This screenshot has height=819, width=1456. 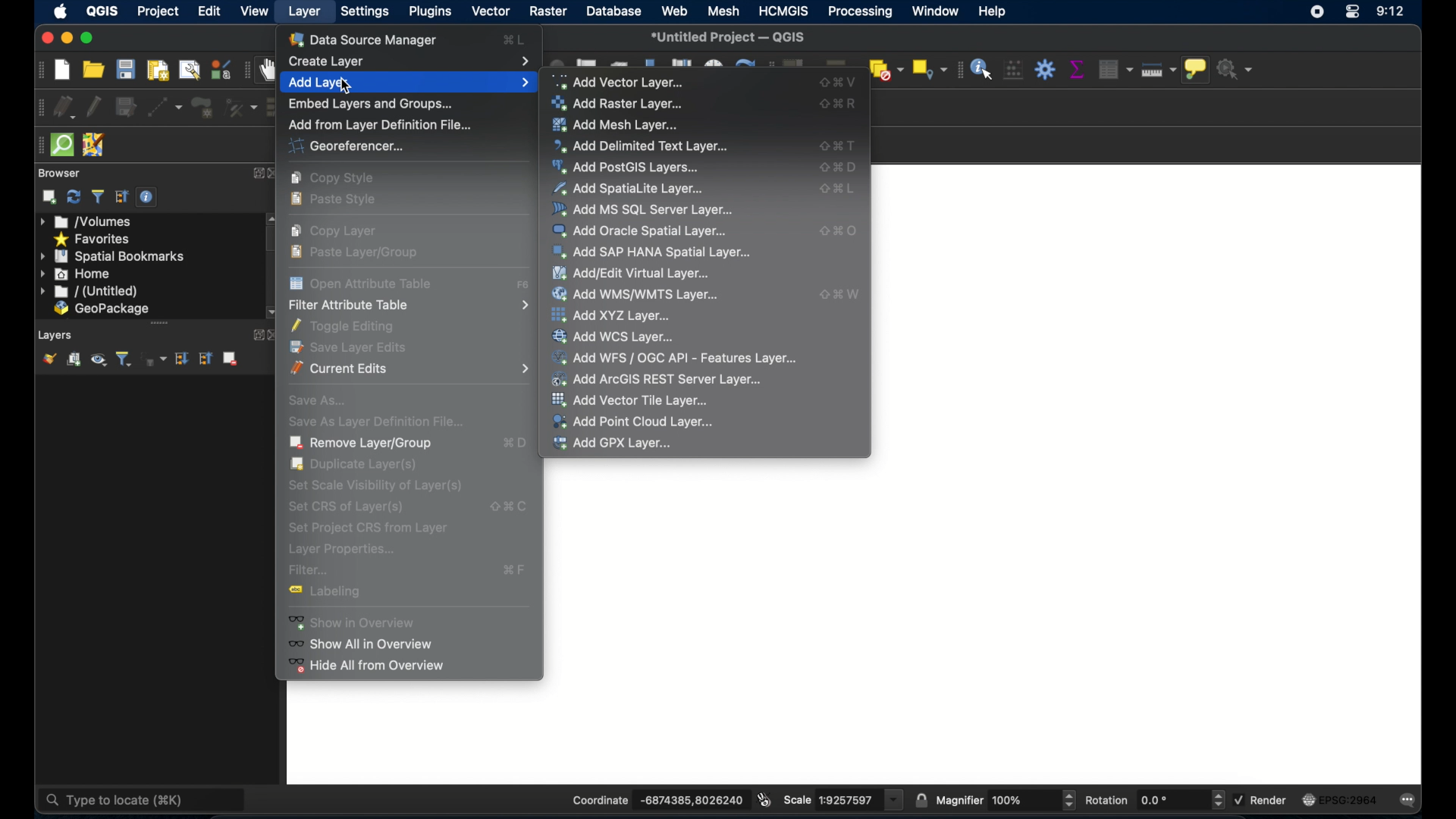 What do you see at coordinates (93, 221) in the screenshot?
I see `volumes` at bounding box center [93, 221].